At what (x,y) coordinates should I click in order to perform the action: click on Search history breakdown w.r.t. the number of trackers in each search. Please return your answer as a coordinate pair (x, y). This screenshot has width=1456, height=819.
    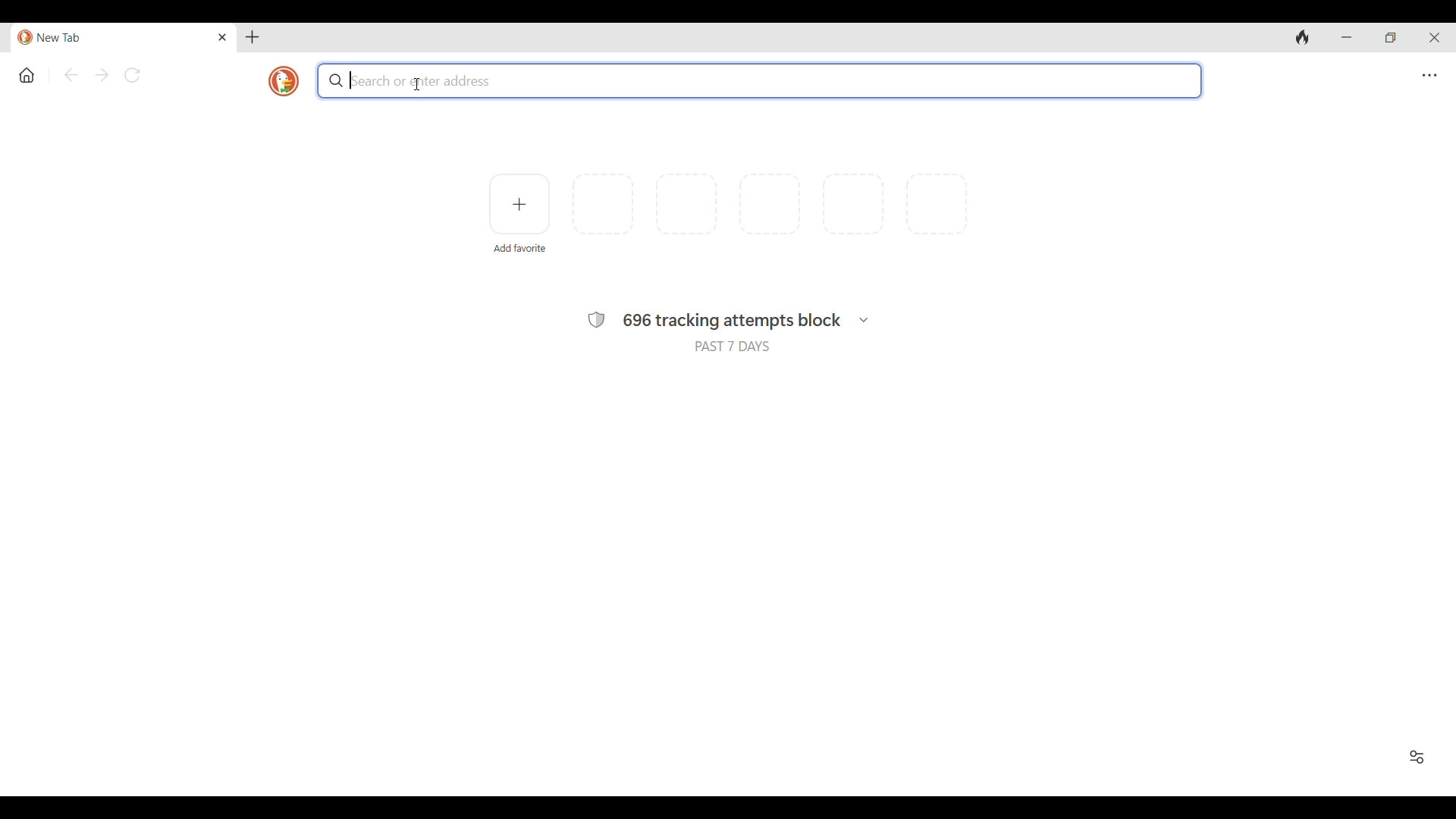
    Looking at the image, I should click on (863, 320).